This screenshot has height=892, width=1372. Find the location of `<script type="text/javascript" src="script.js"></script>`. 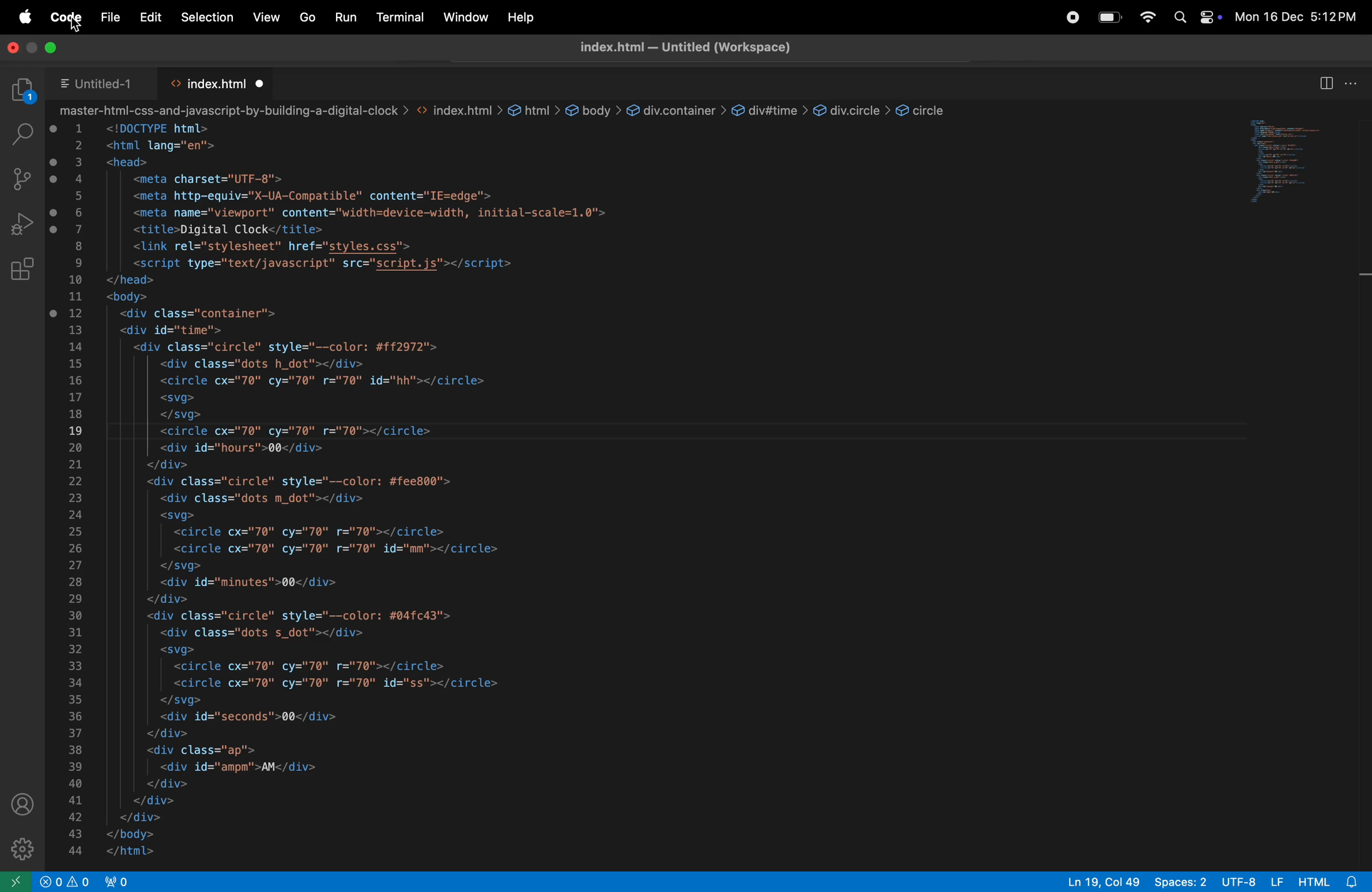

<script type="text/javascript" src="script.js"></script> is located at coordinates (339, 264).